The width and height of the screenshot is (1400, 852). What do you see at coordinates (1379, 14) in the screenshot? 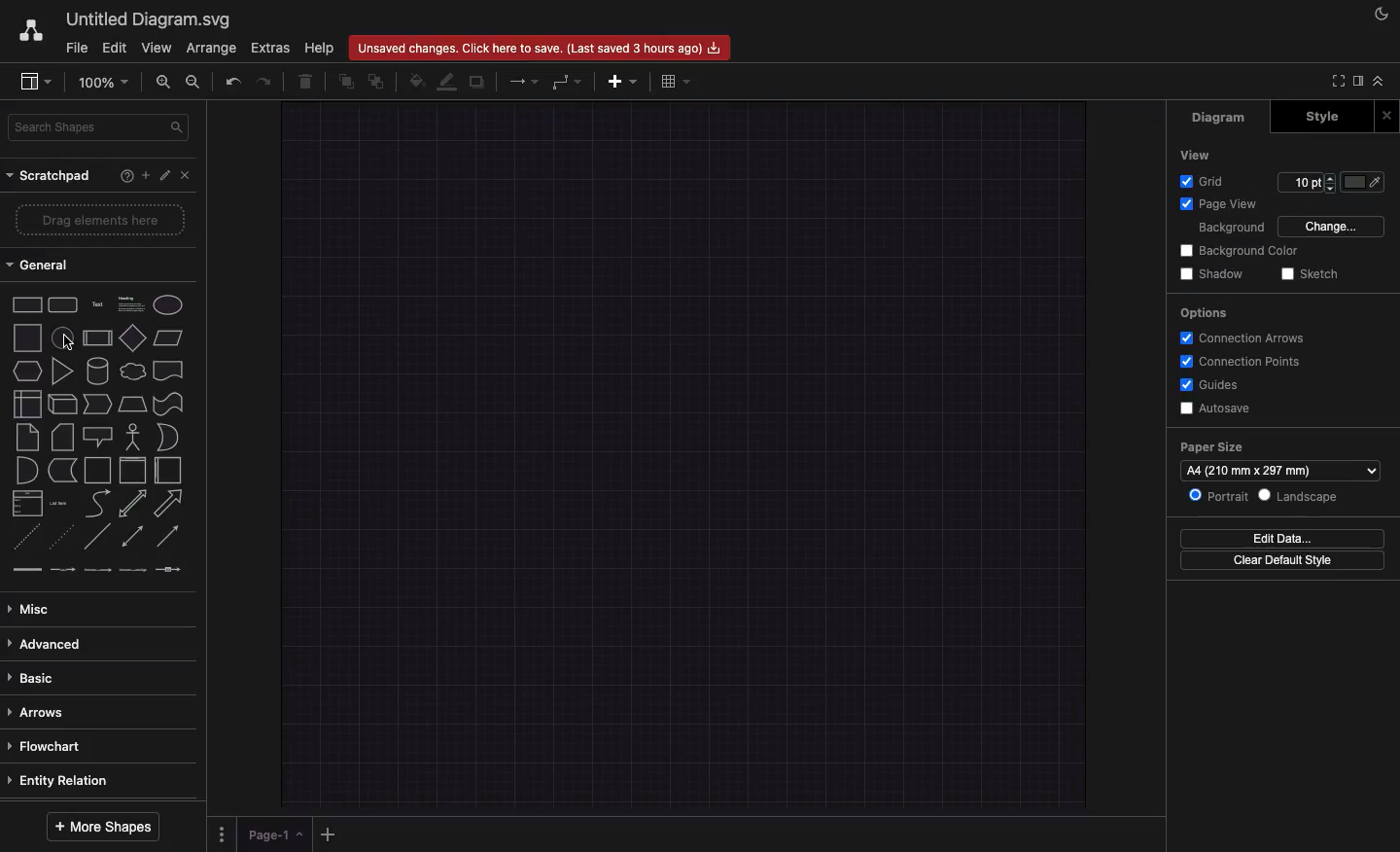
I see `Night mode` at bounding box center [1379, 14].